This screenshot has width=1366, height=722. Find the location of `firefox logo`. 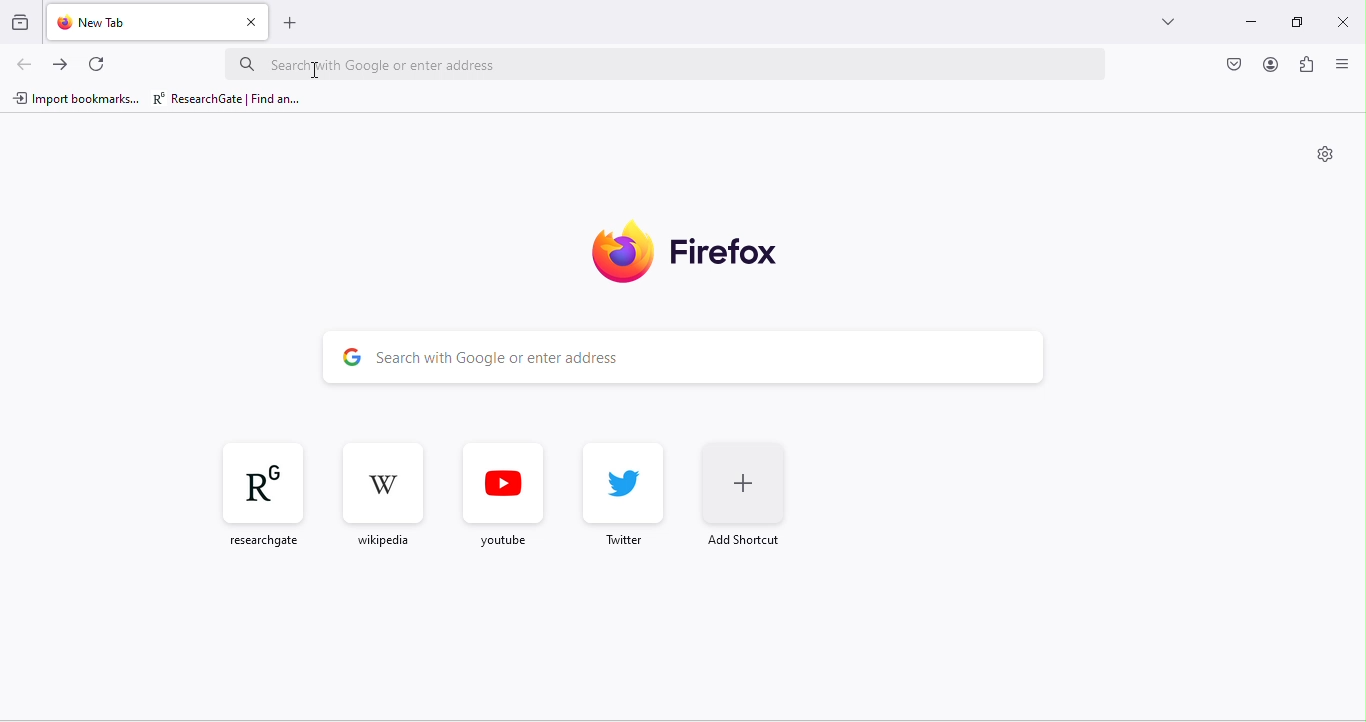

firefox logo is located at coordinates (704, 254).